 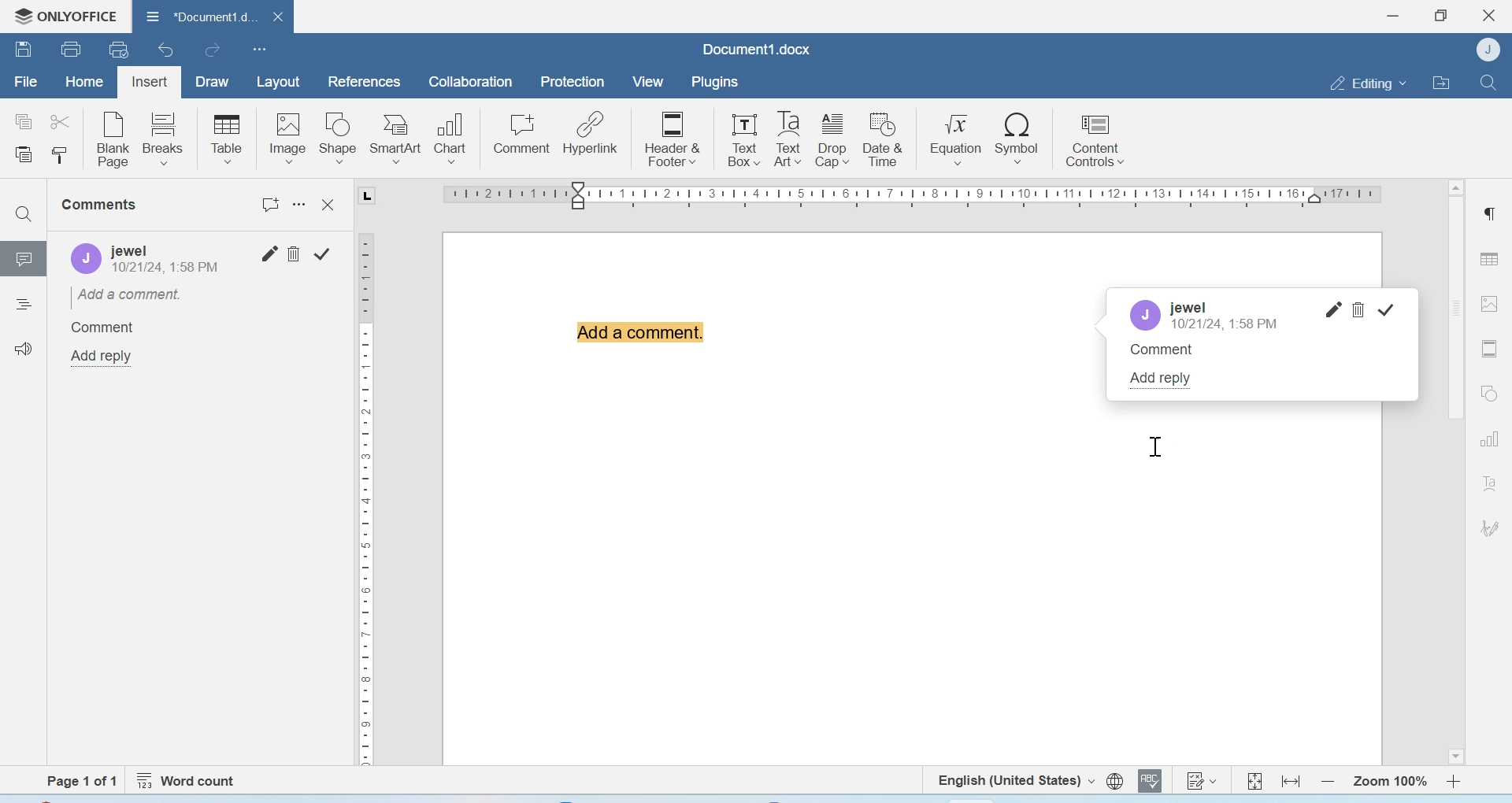 I want to click on Insert, so click(x=149, y=83).